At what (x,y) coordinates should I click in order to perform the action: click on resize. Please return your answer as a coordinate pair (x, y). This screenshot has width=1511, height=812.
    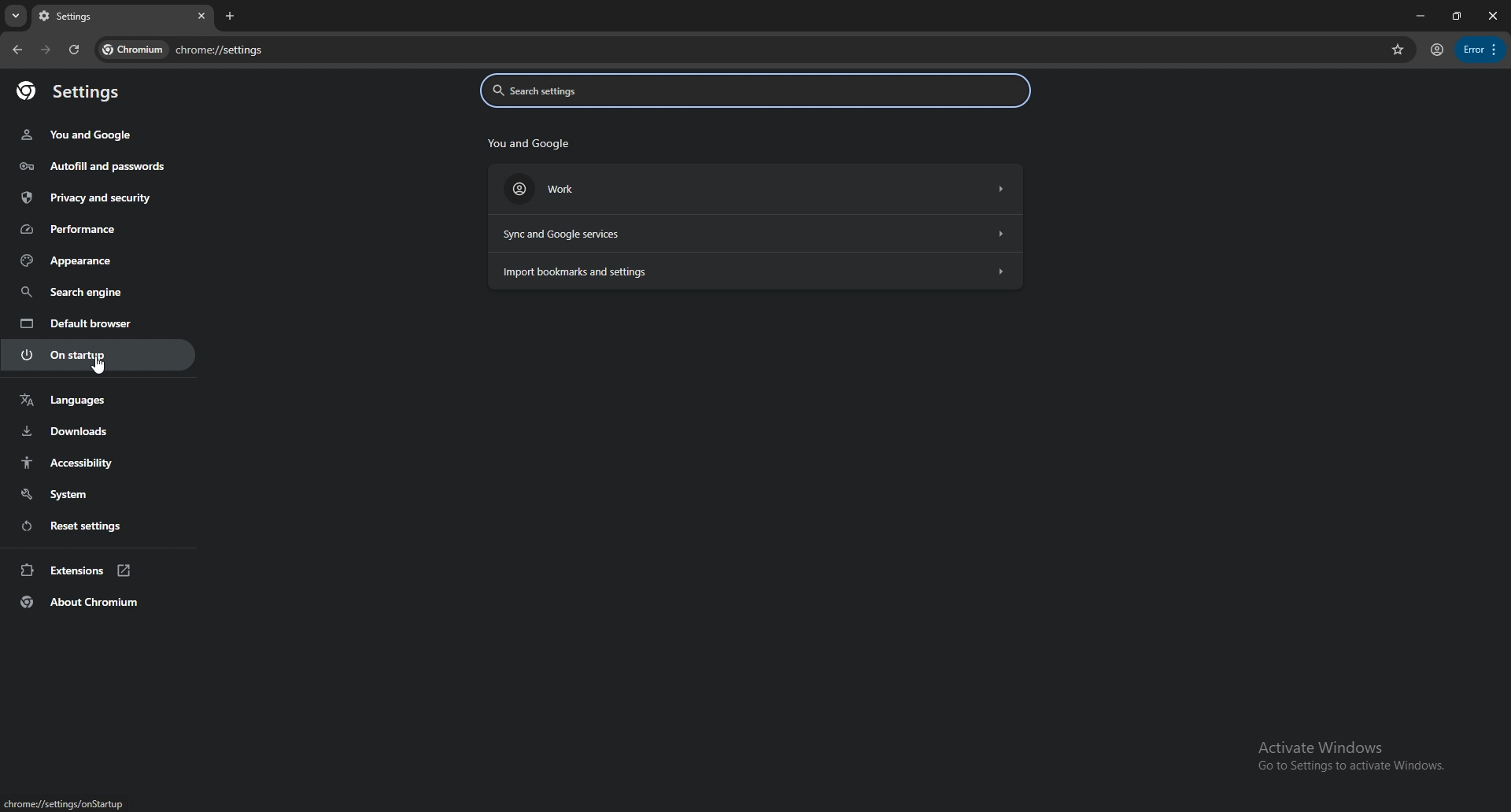
    Looking at the image, I should click on (1454, 16).